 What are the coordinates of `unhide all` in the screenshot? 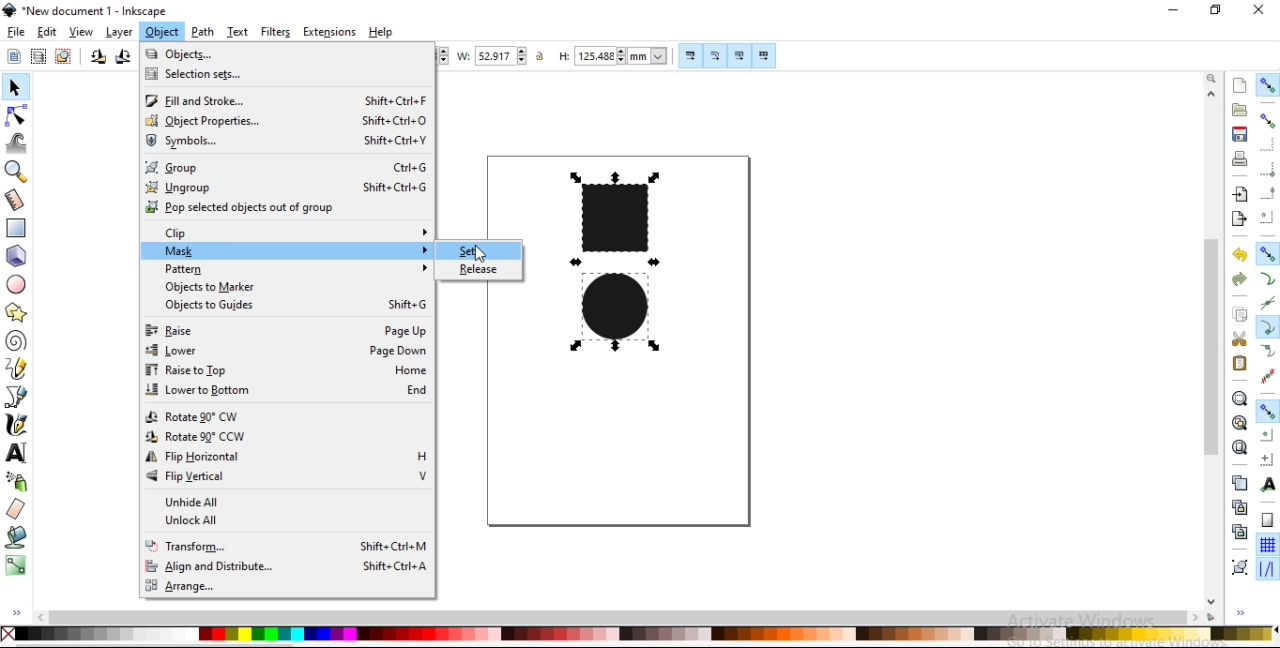 It's located at (286, 501).